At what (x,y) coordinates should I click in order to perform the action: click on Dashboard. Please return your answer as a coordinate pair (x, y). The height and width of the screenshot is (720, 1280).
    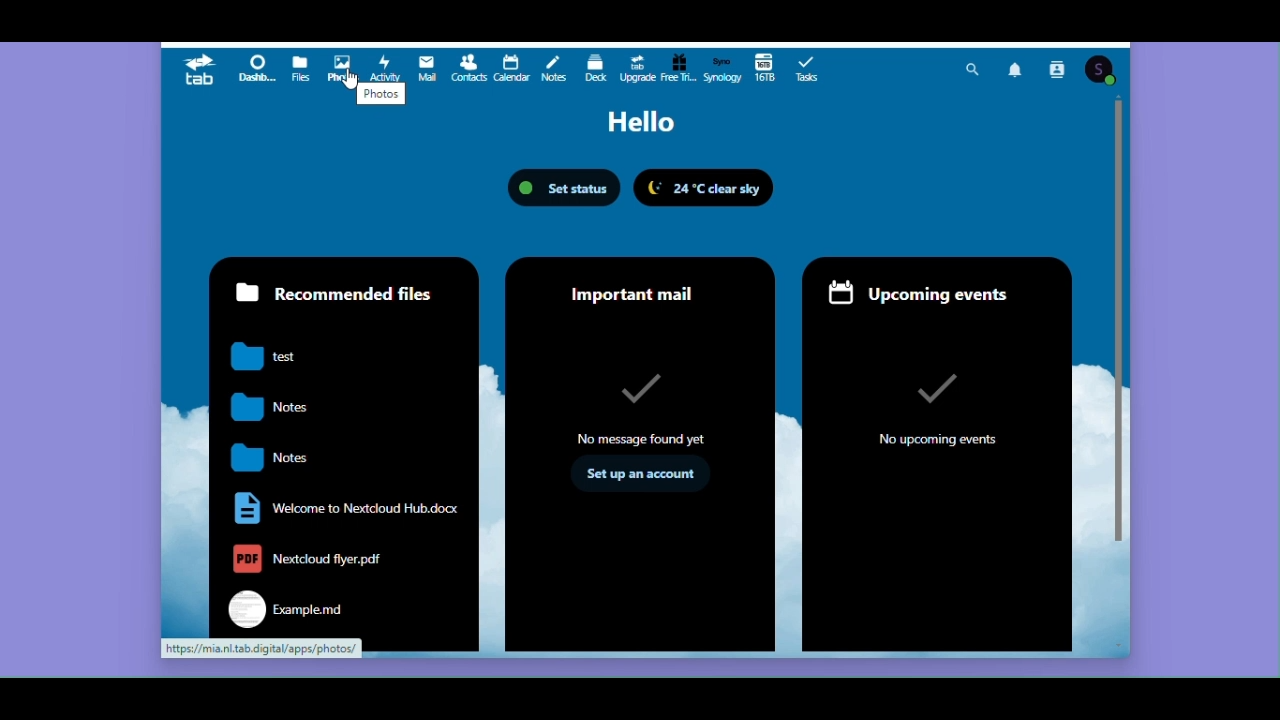
    Looking at the image, I should click on (256, 68).